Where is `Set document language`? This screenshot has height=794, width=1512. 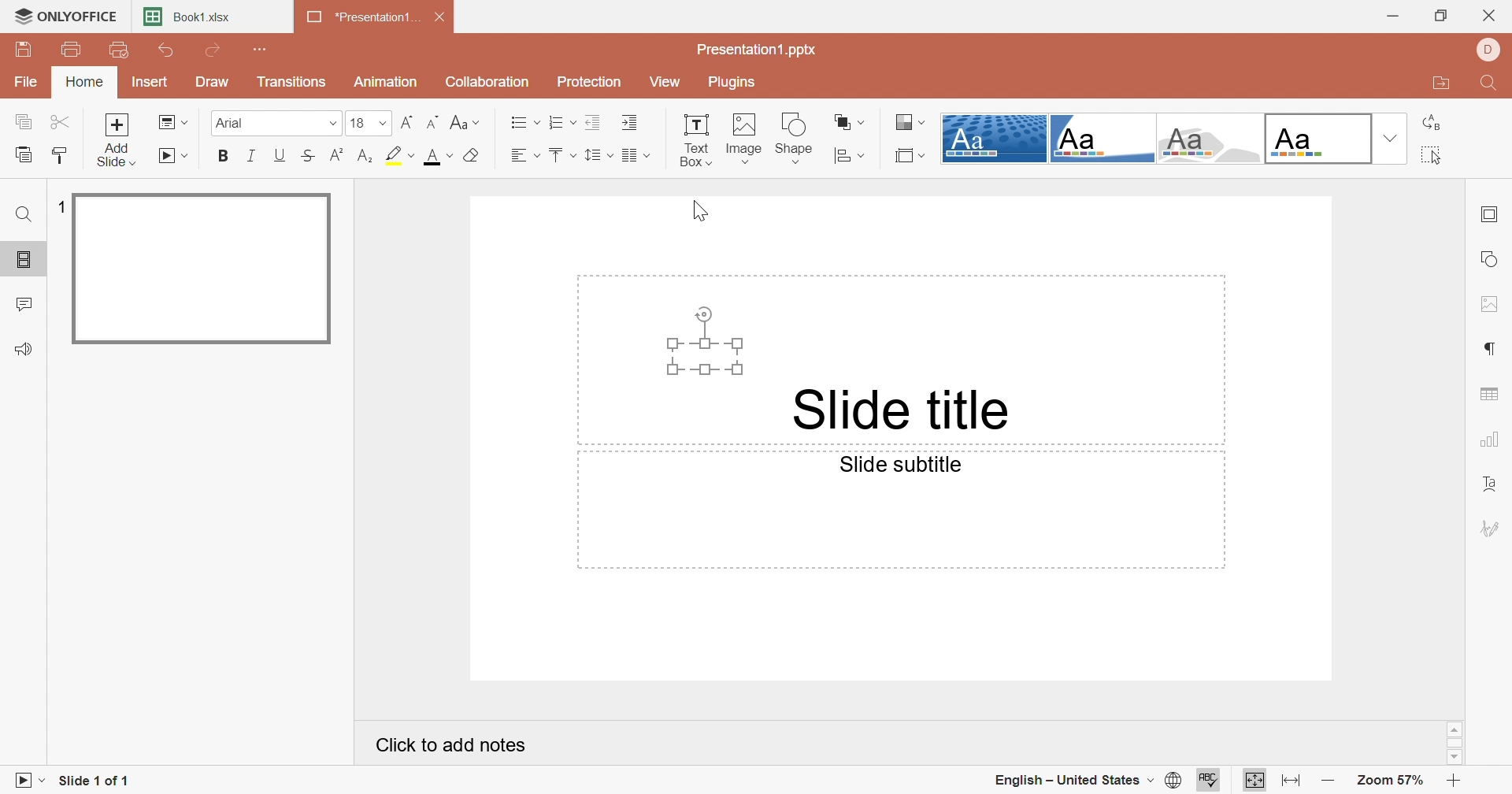 Set document language is located at coordinates (1177, 780).